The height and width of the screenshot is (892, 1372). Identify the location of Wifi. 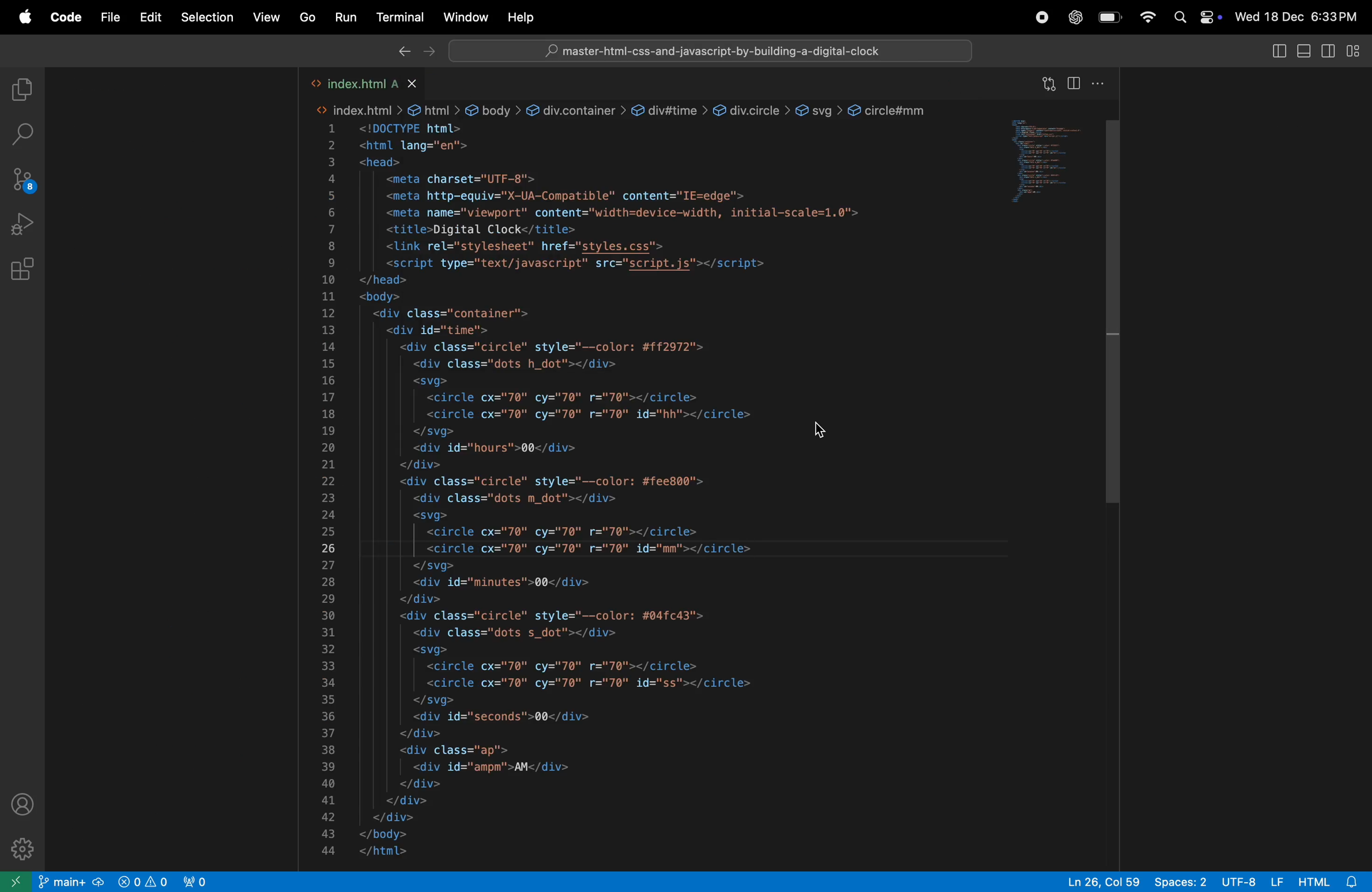
(1147, 18).